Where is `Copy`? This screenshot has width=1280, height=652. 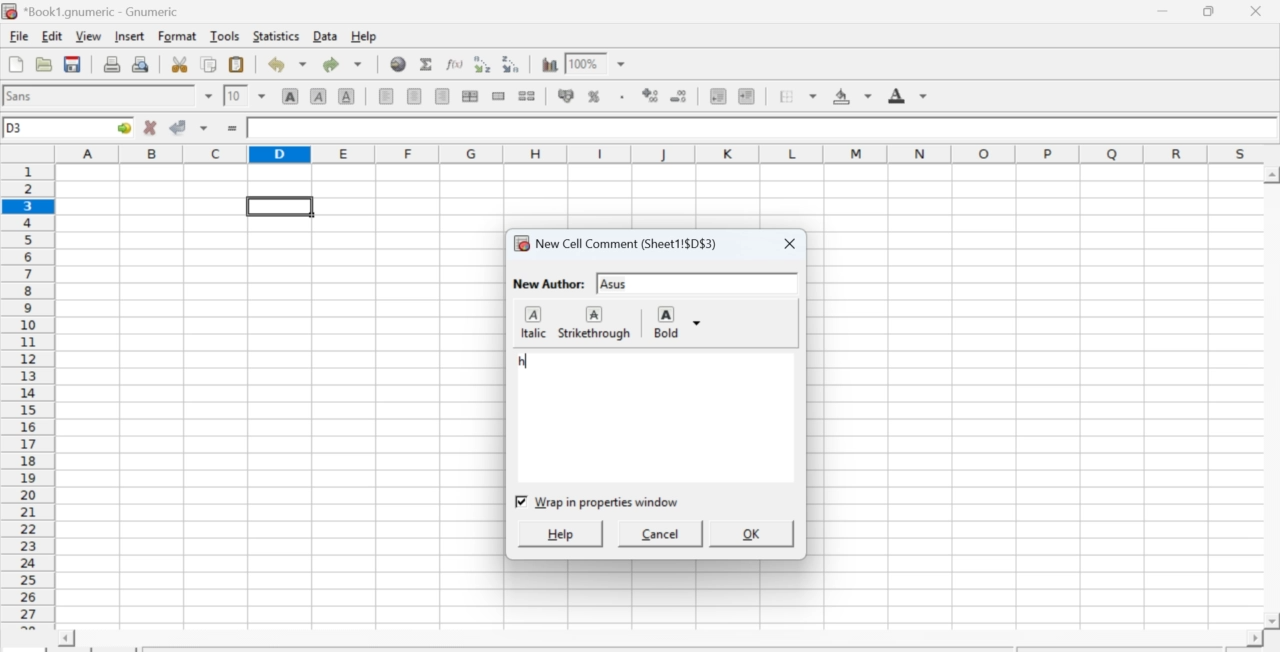
Copy is located at coordinates (212, 65).